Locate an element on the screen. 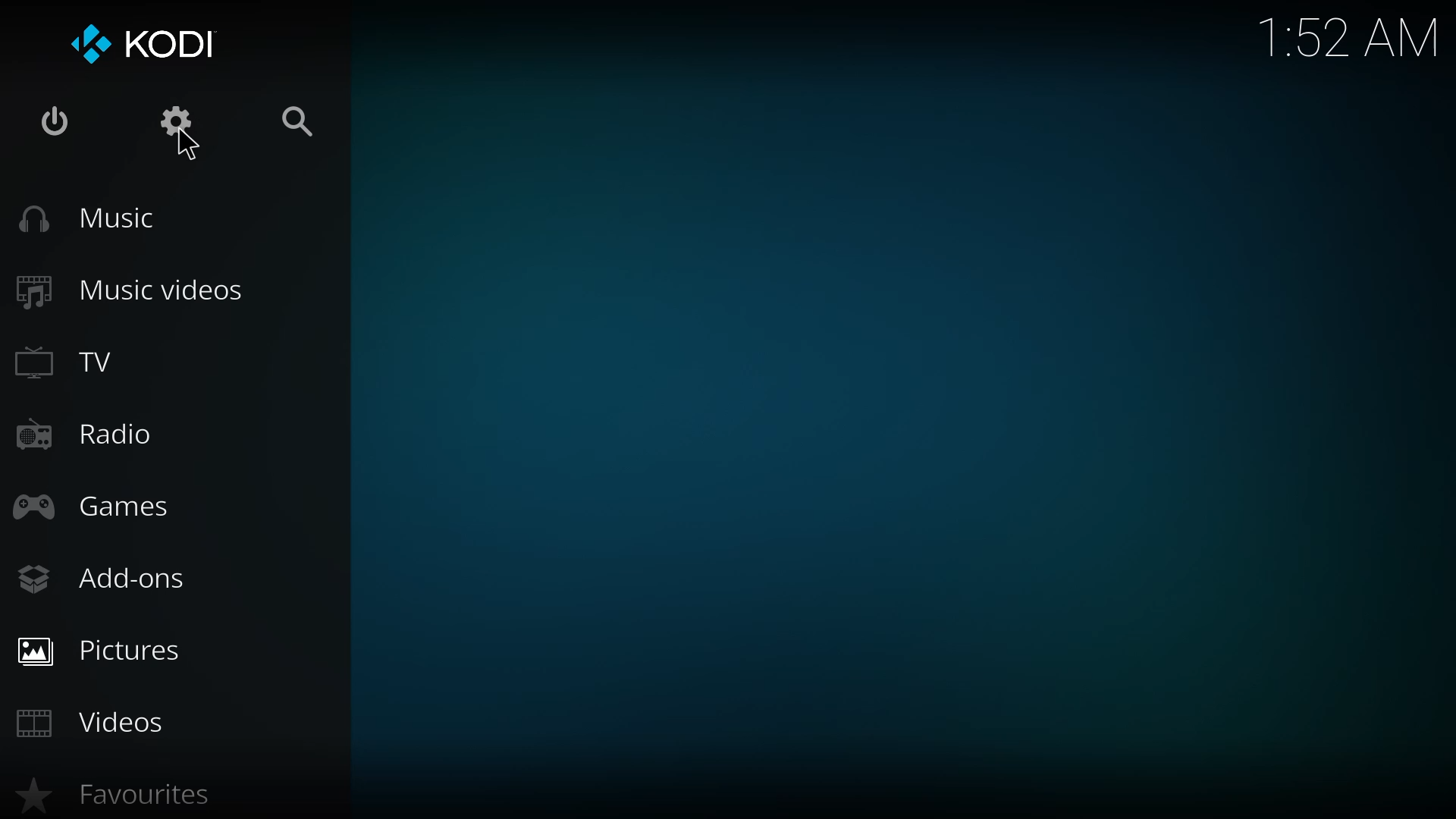 The height and width of the screenshot is (819, 1456). settings is located at coordinates (180, 124).